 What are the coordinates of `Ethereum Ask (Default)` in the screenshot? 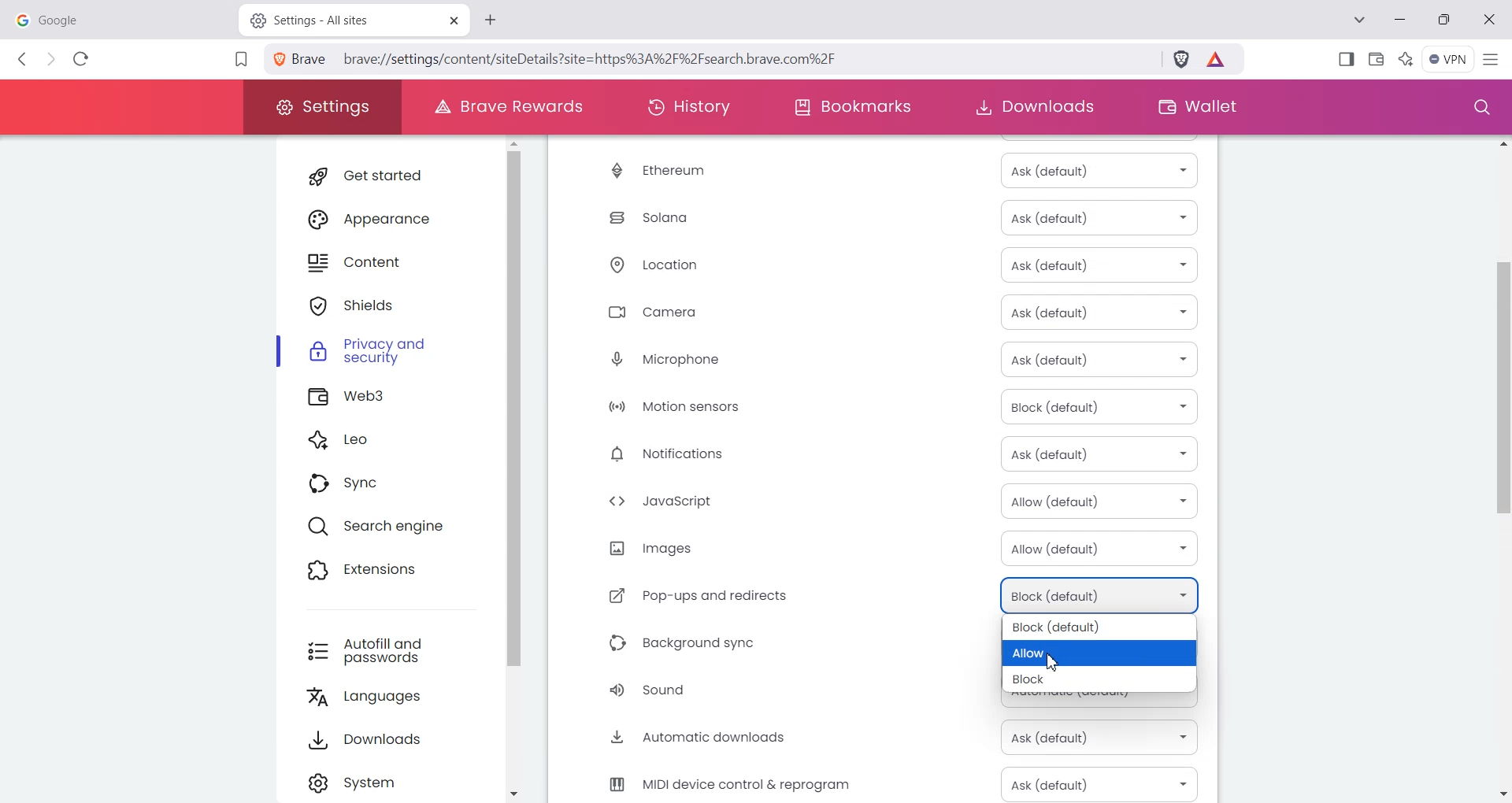 It's located at (884, 171).